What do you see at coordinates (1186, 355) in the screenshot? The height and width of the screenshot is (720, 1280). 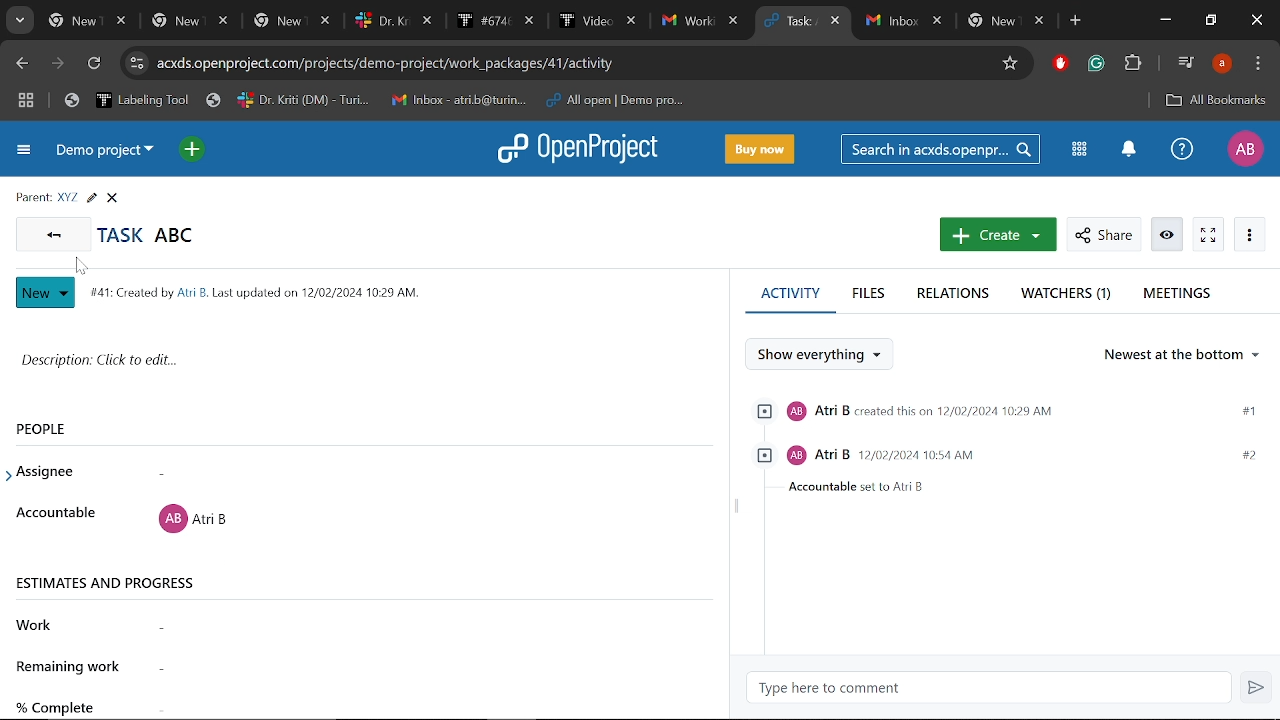 I see `Ordering` at bounding box center [1186, 355].